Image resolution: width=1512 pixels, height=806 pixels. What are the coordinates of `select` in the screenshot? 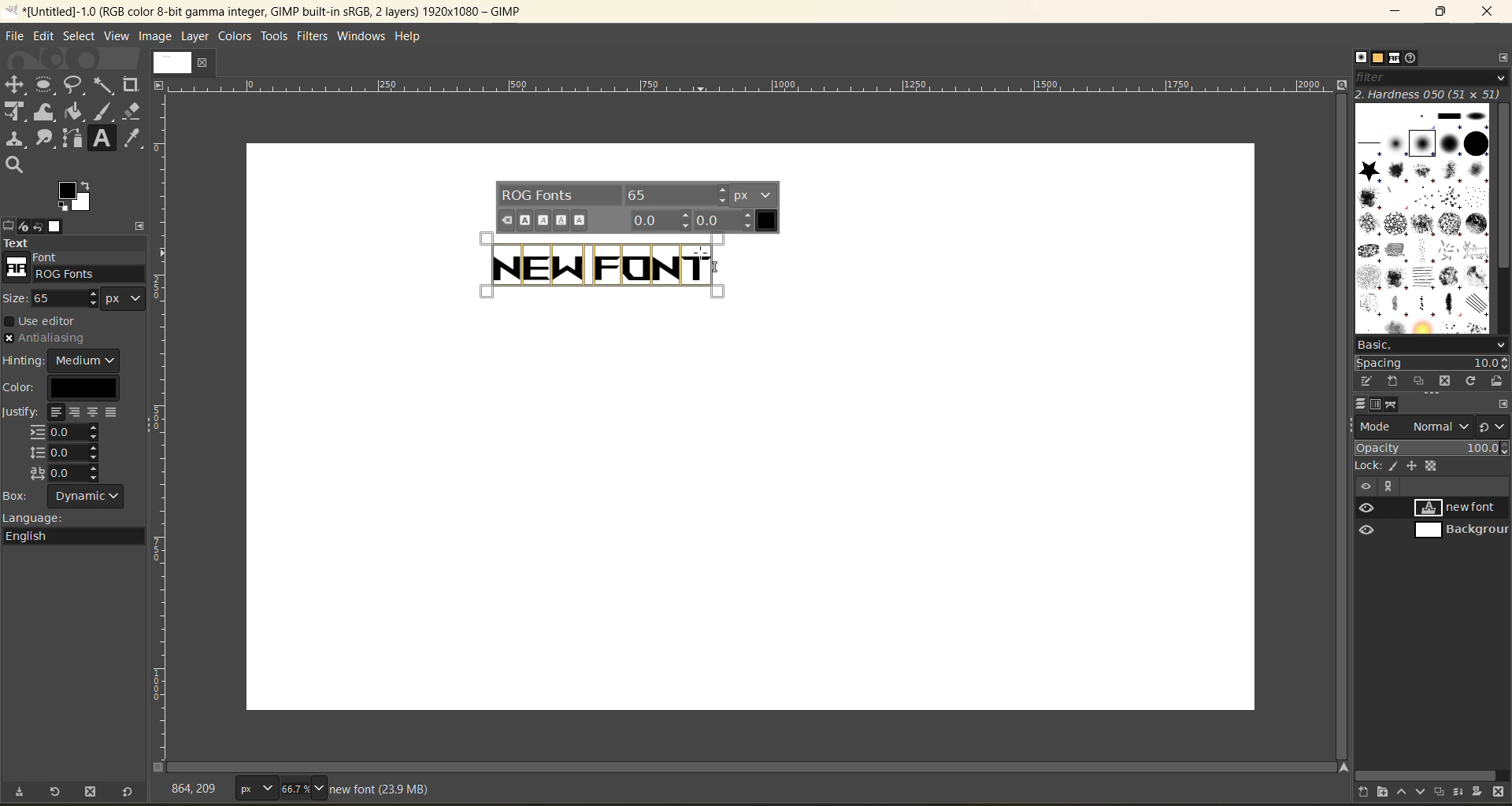 It's located at (80, 35).